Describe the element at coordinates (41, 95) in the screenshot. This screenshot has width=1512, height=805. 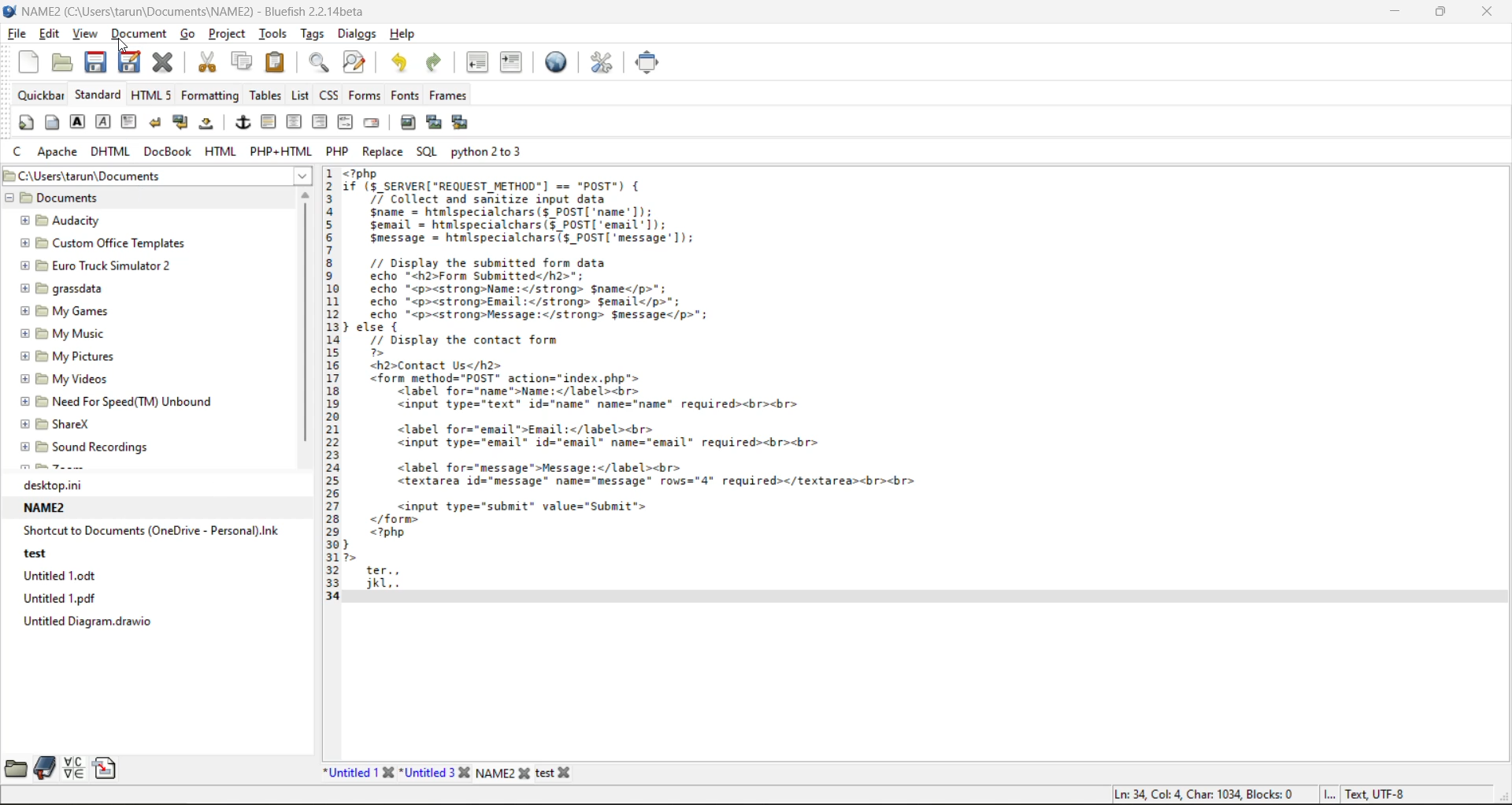
I see `quickbar` at that location.